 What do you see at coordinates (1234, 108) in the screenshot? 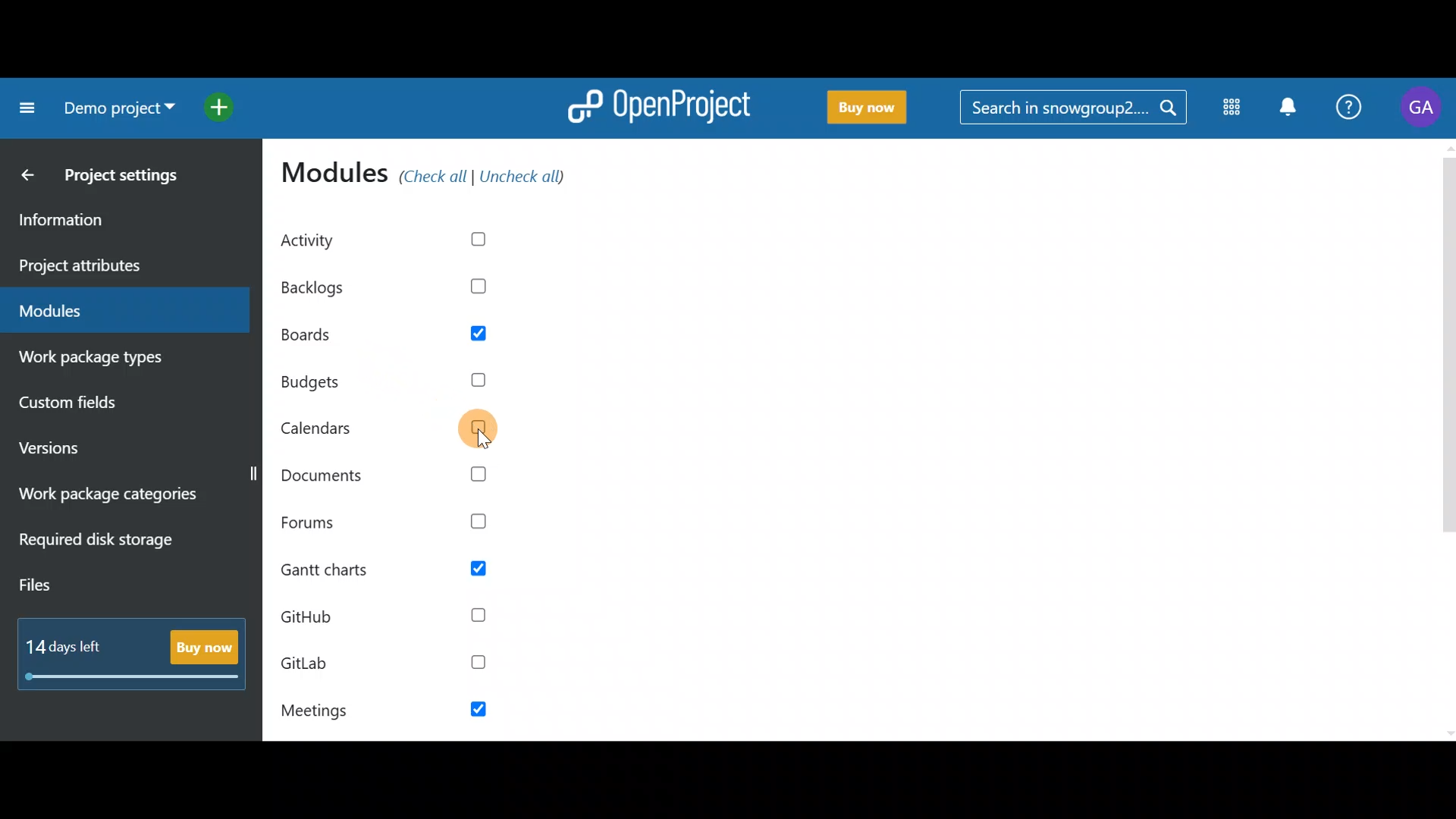
I see `Modules` at bounding box center [1234, 108].